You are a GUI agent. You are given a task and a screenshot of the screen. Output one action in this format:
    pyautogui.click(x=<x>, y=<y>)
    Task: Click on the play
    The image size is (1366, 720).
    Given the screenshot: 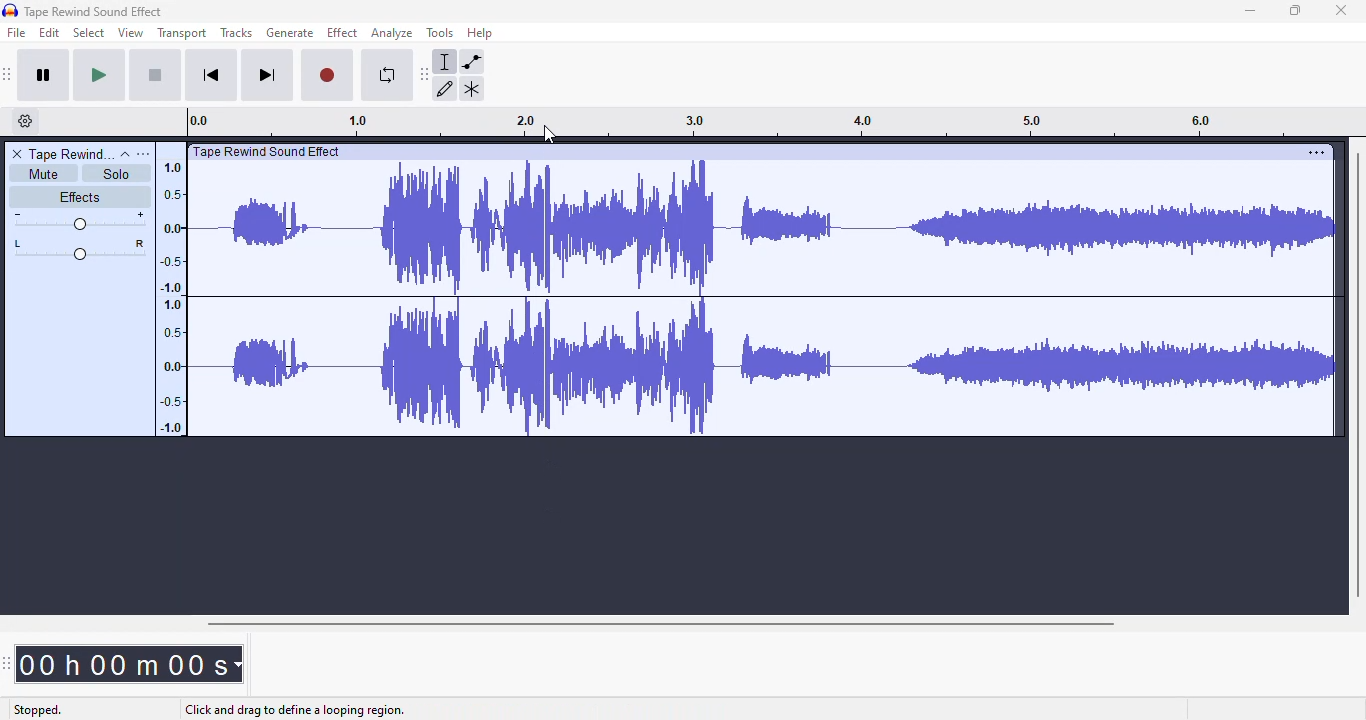 What is the action you would take?
    pyautogui.click(x=101, y=74)
    